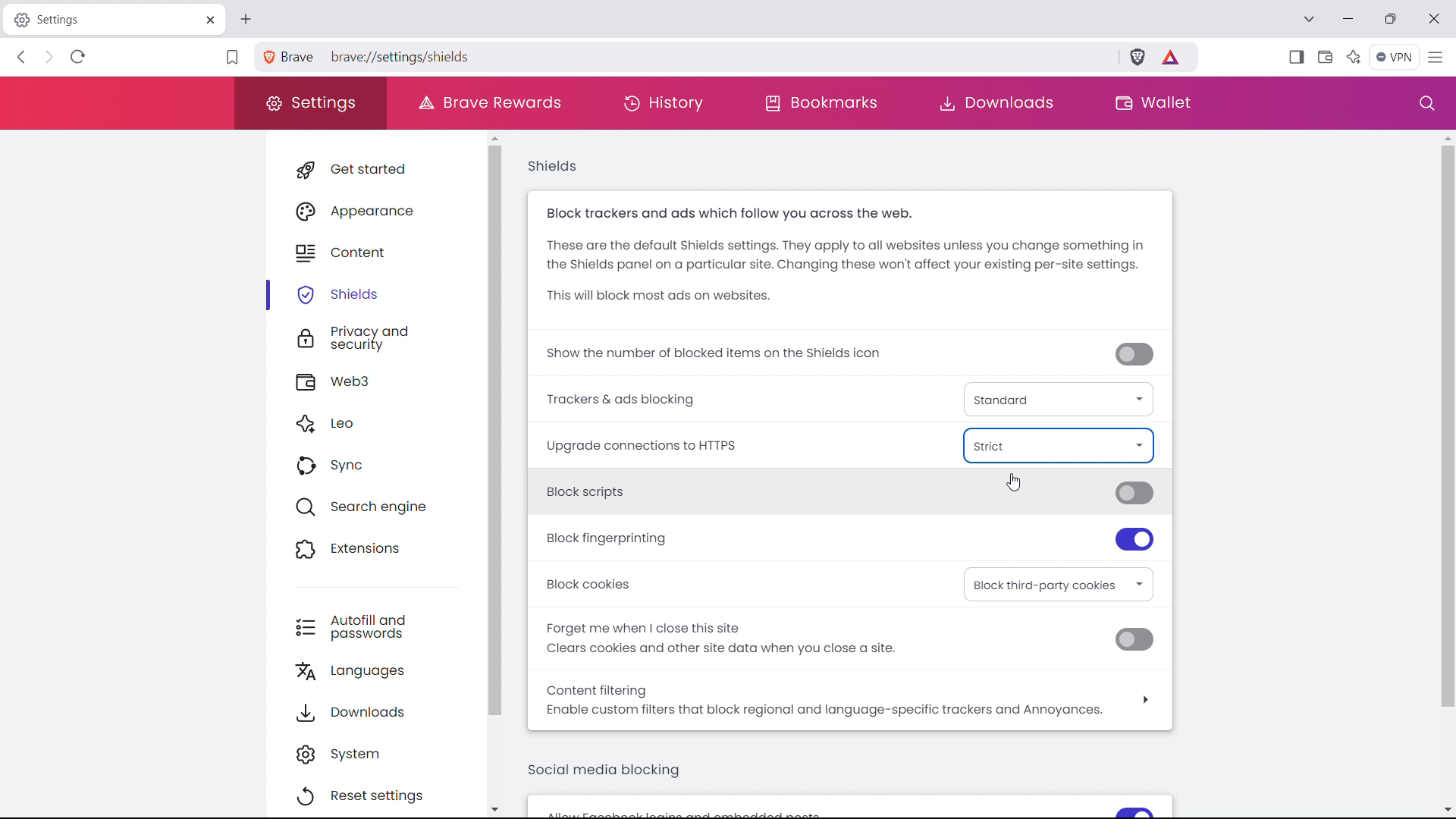  Describe the element at coordinates (646, 626) in the screenshot. I see `Forget me when | close this site` at that location.